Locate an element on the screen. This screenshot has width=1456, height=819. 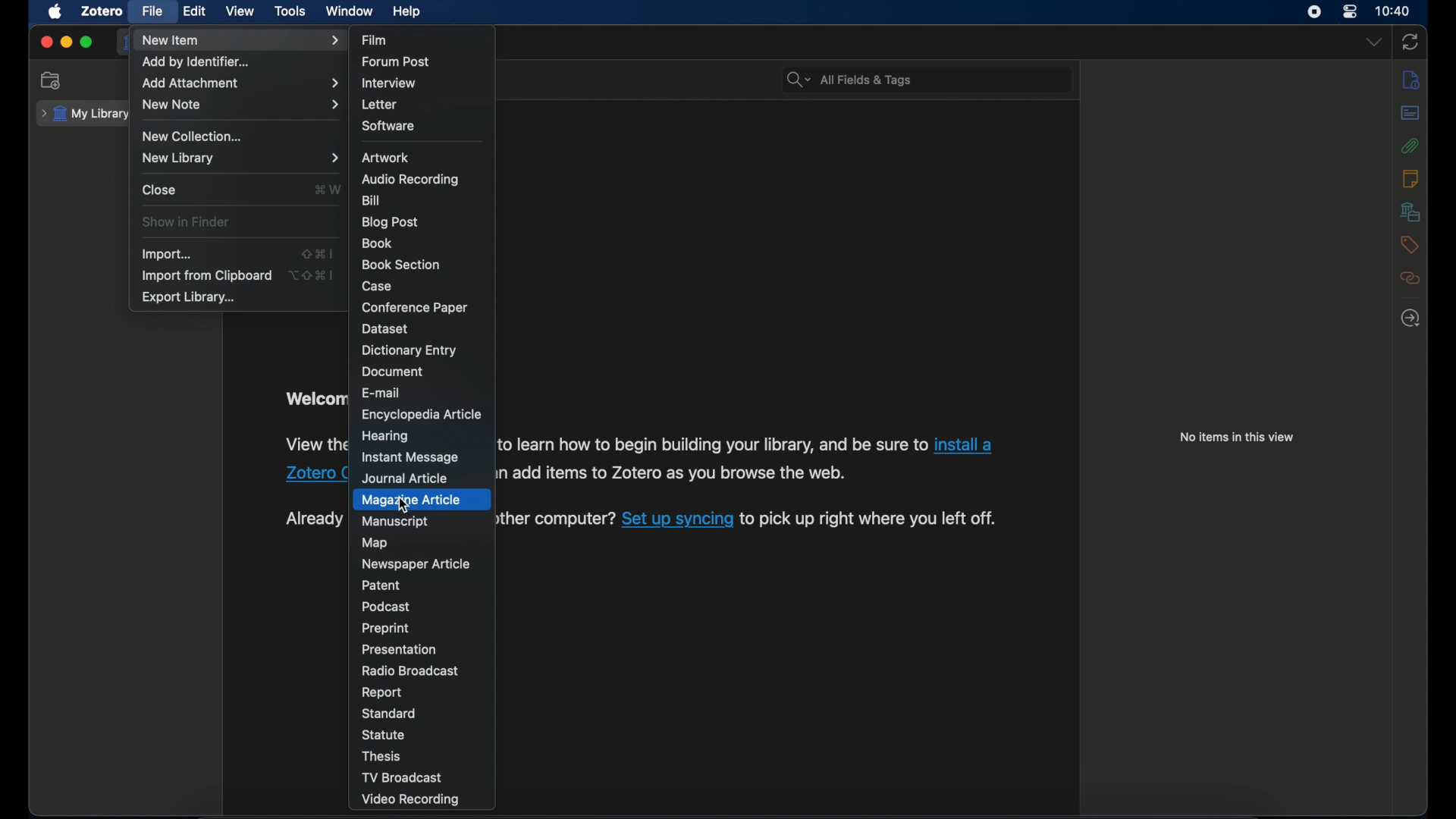
close is located at coordinates (45, 43).